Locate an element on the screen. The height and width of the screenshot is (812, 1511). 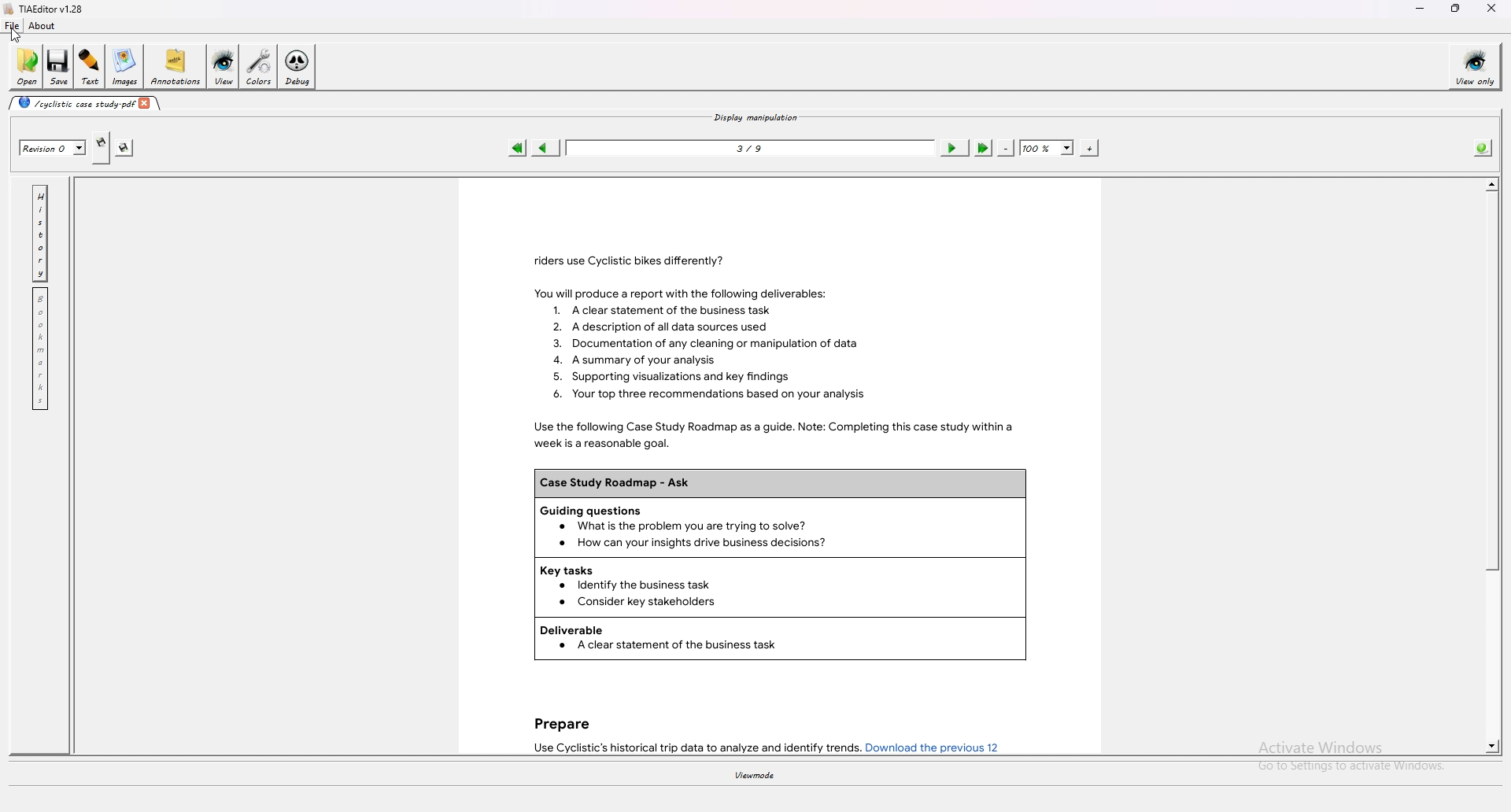
scroll down is located at coordinates (1493, 745).